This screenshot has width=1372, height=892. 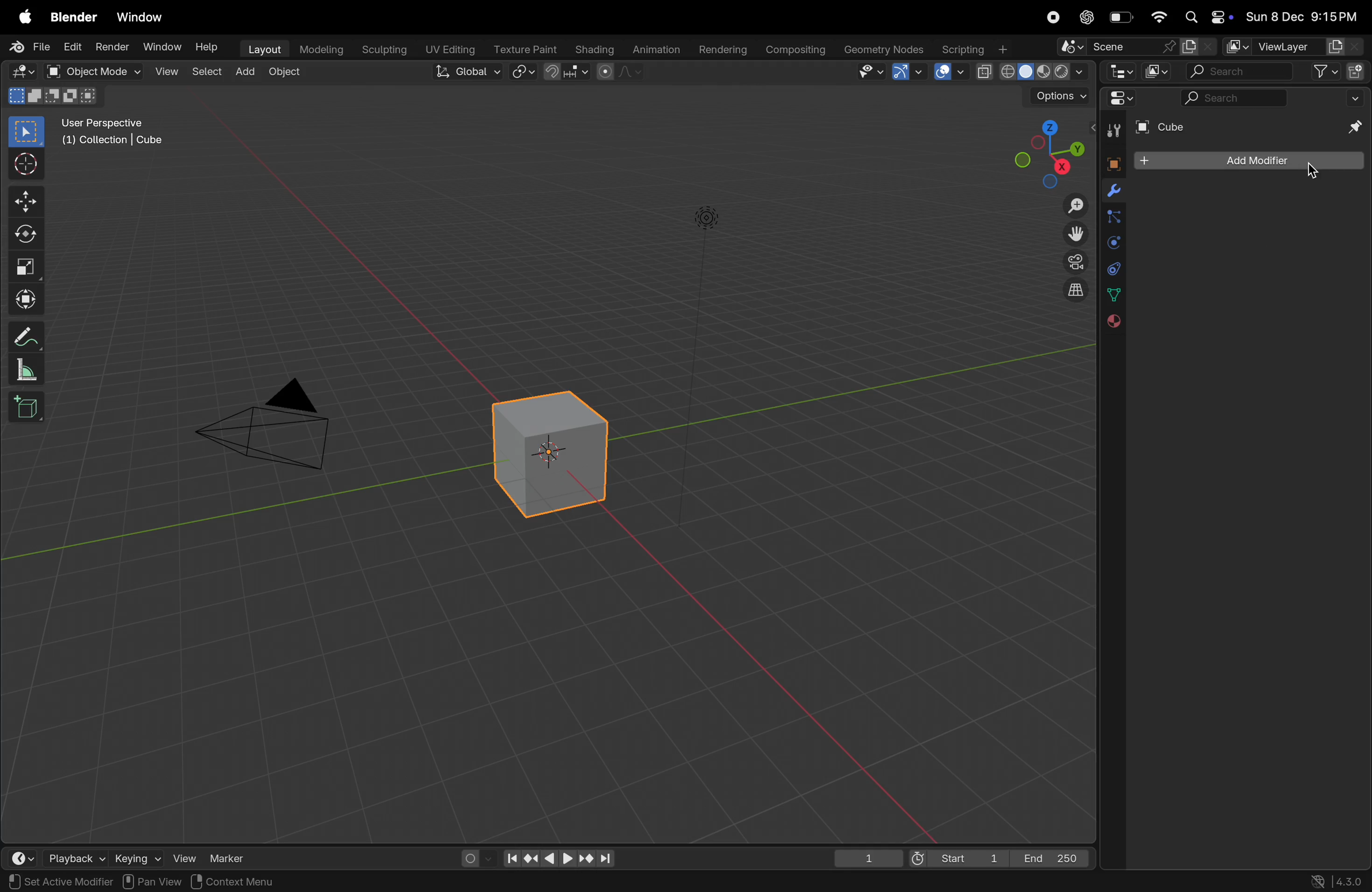 I want to click on view points, so click(x=1047, y=152).